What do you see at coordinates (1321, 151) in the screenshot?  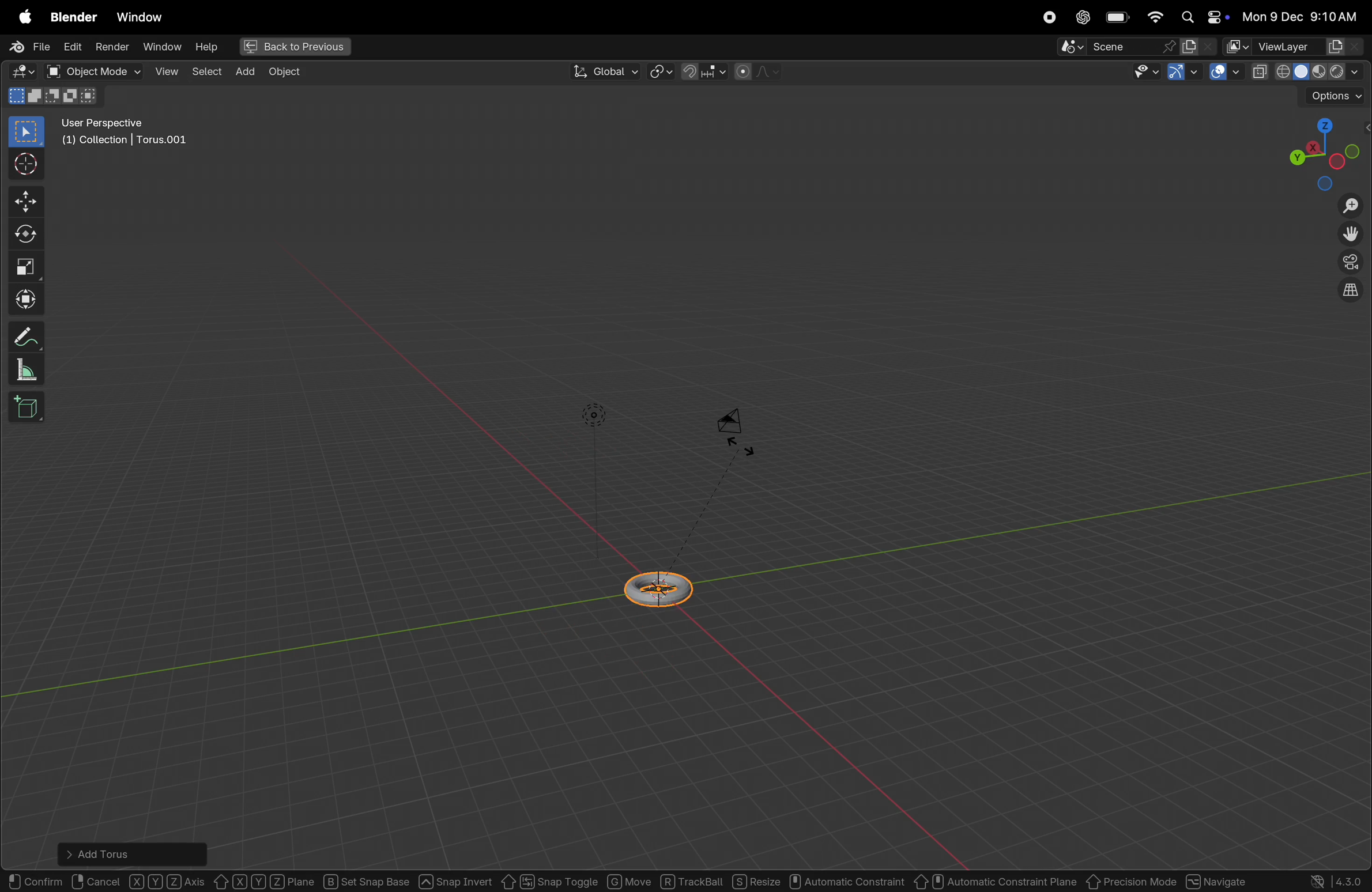 I see `view point` at bounding box center [1321, 151].